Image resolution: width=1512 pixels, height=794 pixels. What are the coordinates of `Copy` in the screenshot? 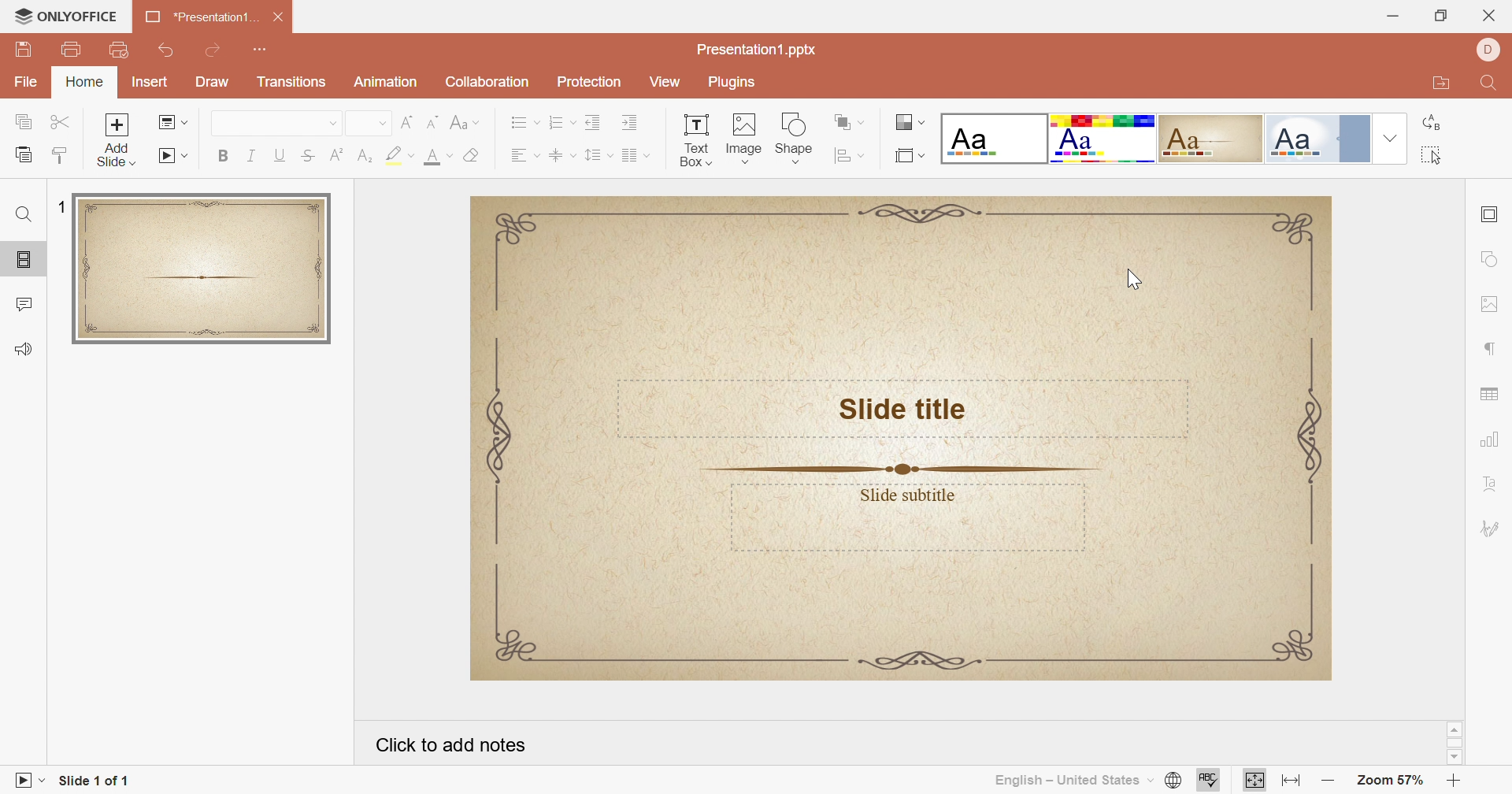 It's located at (20, 119).